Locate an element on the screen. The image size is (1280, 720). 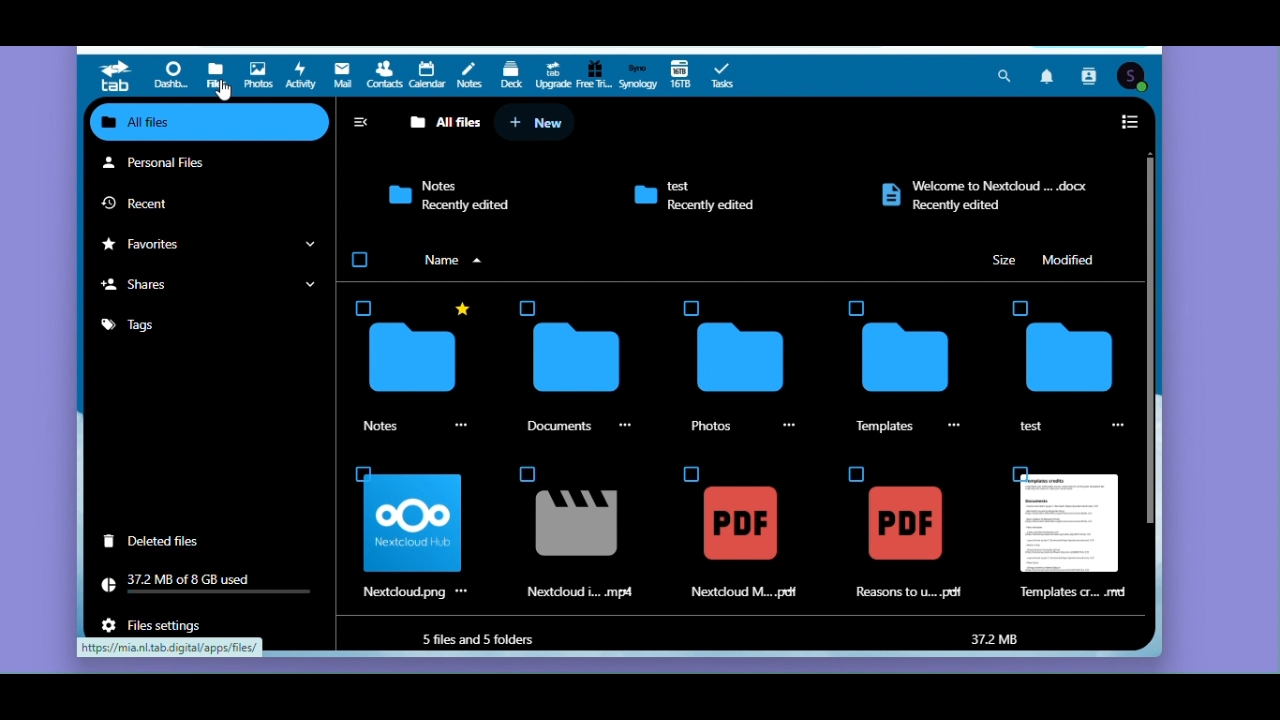
tab is located at coordinates (117, 75).